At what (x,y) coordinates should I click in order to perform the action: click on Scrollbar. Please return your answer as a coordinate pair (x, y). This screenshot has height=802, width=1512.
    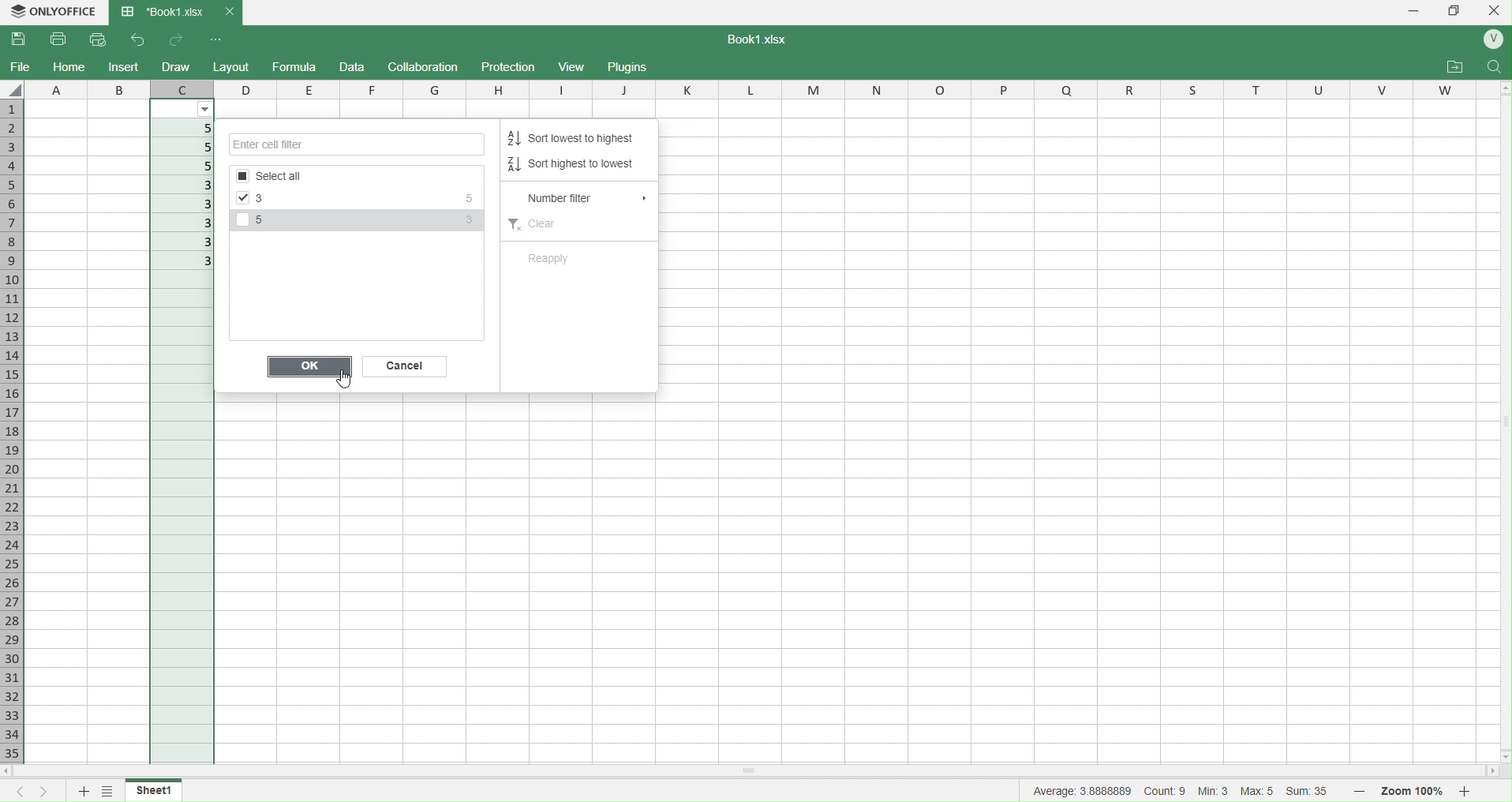
    Looking at the image, I should click on (1503, 417).